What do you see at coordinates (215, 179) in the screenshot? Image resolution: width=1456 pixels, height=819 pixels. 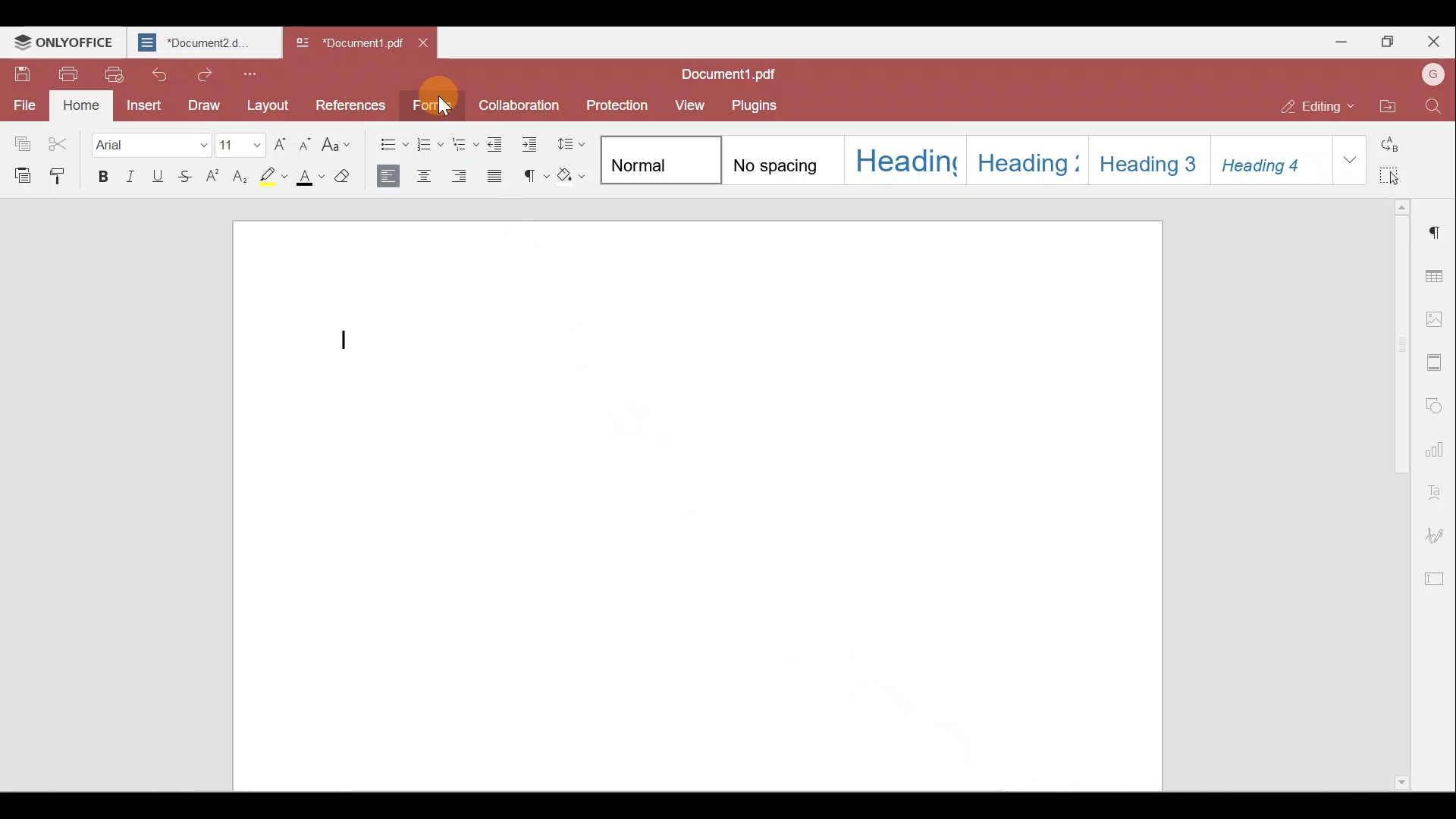 I see `Superscript` at bounding box center [215, 179].